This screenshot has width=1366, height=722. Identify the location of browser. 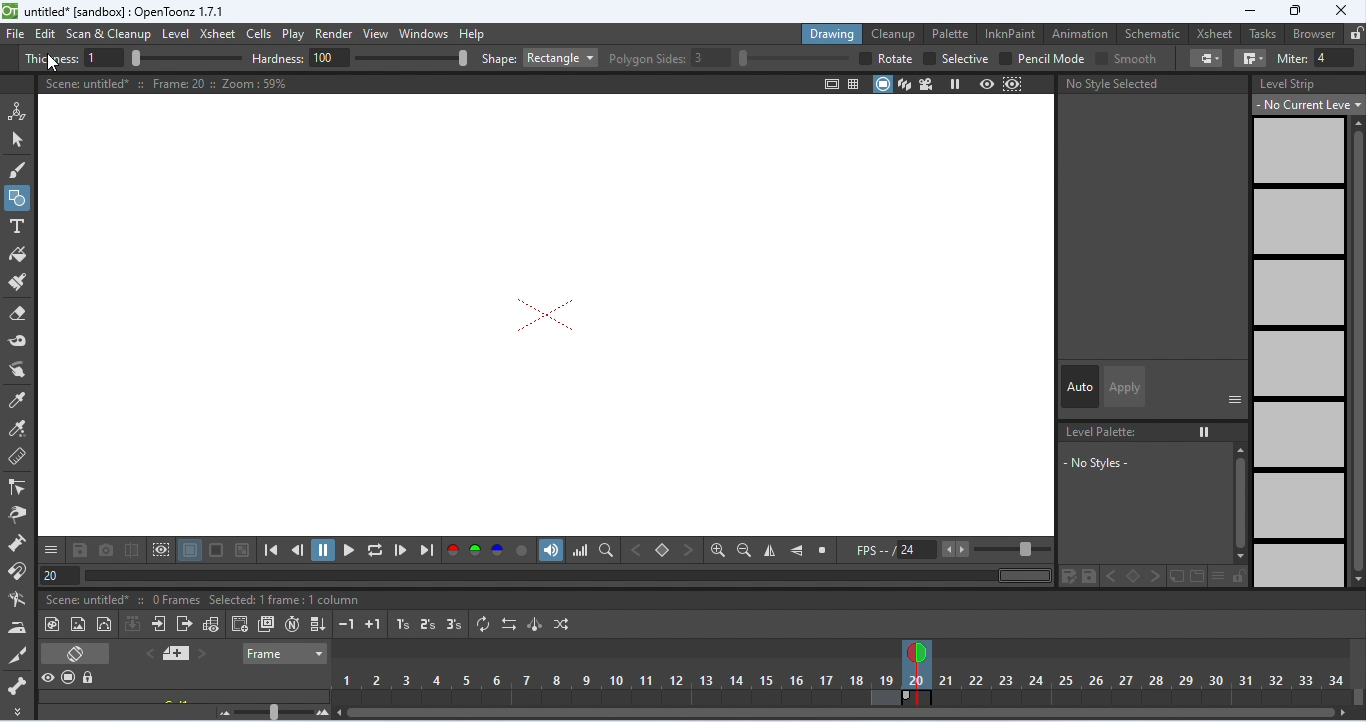
(1315, 34).